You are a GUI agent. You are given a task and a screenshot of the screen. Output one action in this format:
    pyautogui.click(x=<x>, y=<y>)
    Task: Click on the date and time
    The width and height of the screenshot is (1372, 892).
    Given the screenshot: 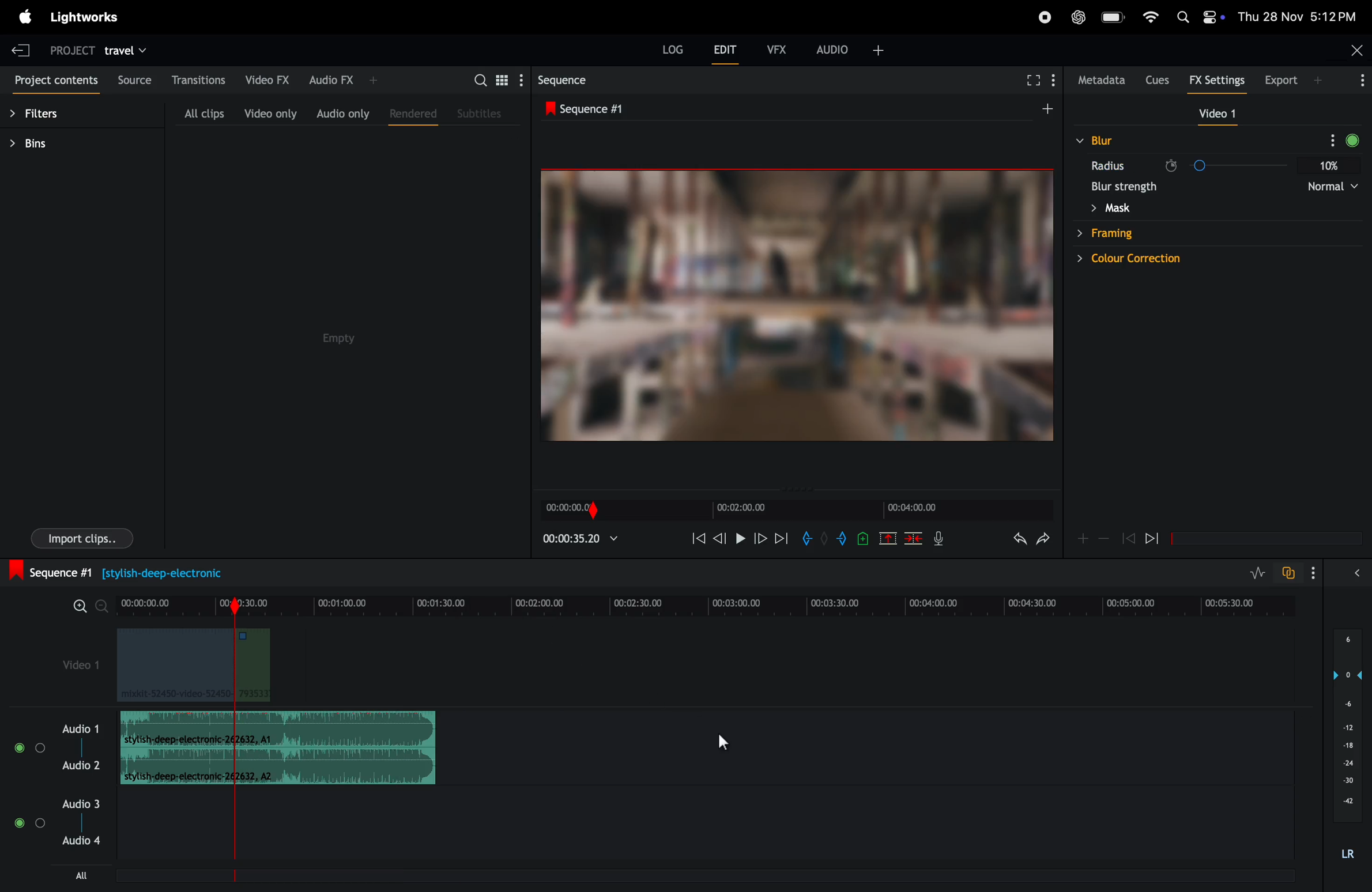 What is the action you would take?
    pyautogui.click(x=1297, y=16)
    